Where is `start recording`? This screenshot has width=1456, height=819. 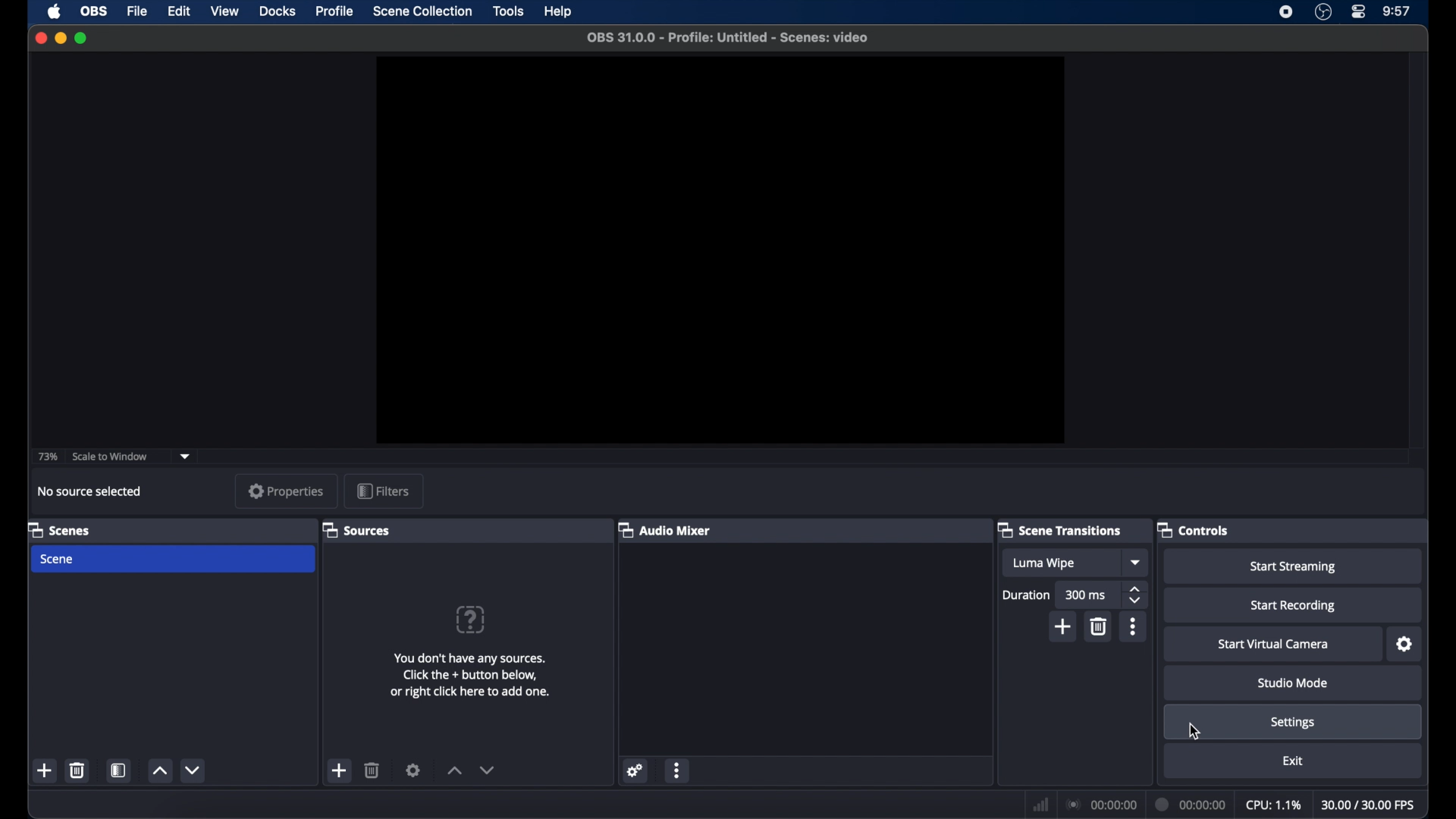
start recording is located at coordinates (1294, 606).